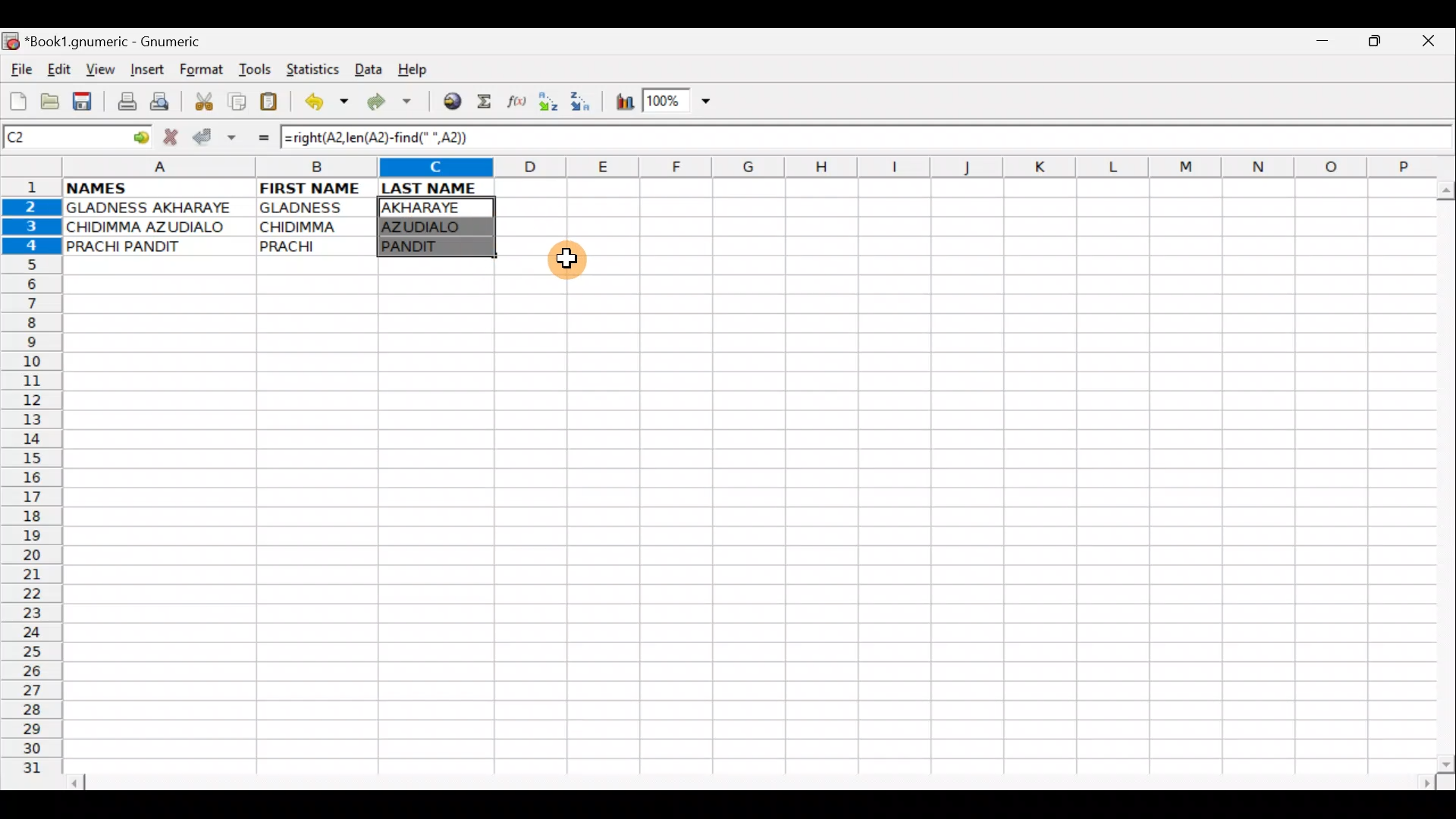 This screenshot has width=1456, height=819. What do you see at coordinates (96, 69) in the screenshot?
I see `View` at bounding box center [96, 69].